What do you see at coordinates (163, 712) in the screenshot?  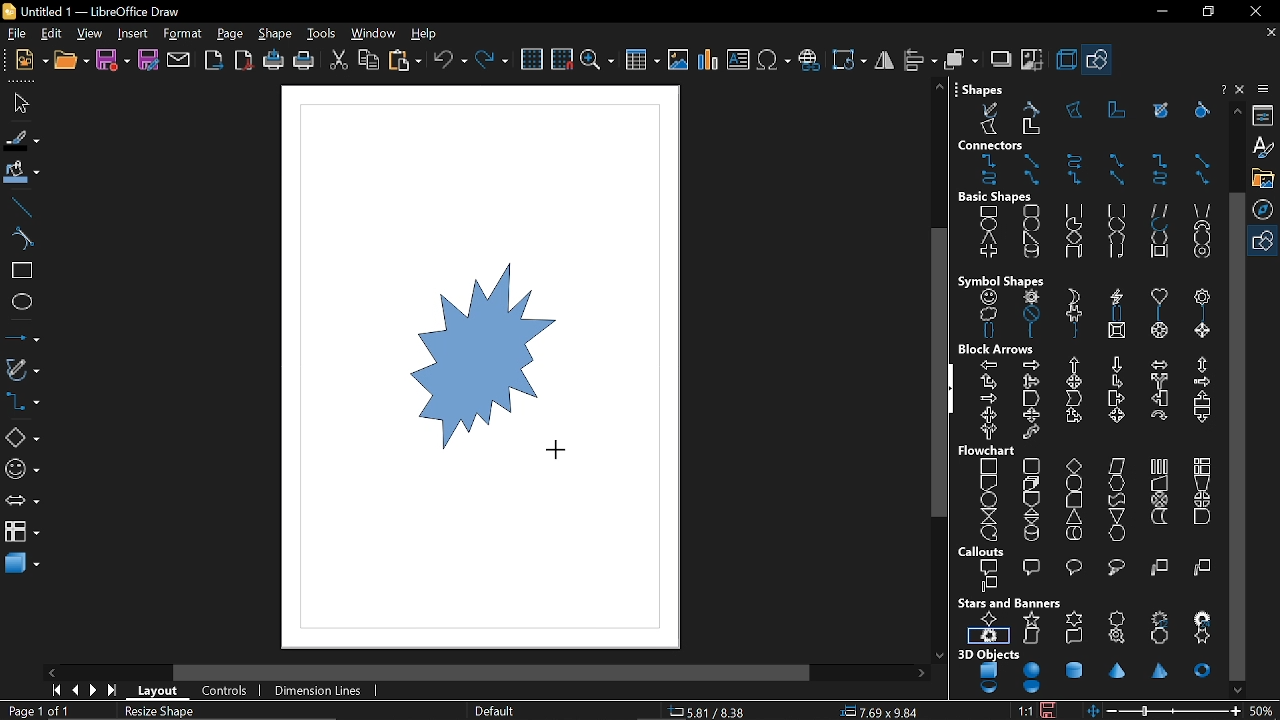 I see `Resize shape` at bounding box center [163, 712].